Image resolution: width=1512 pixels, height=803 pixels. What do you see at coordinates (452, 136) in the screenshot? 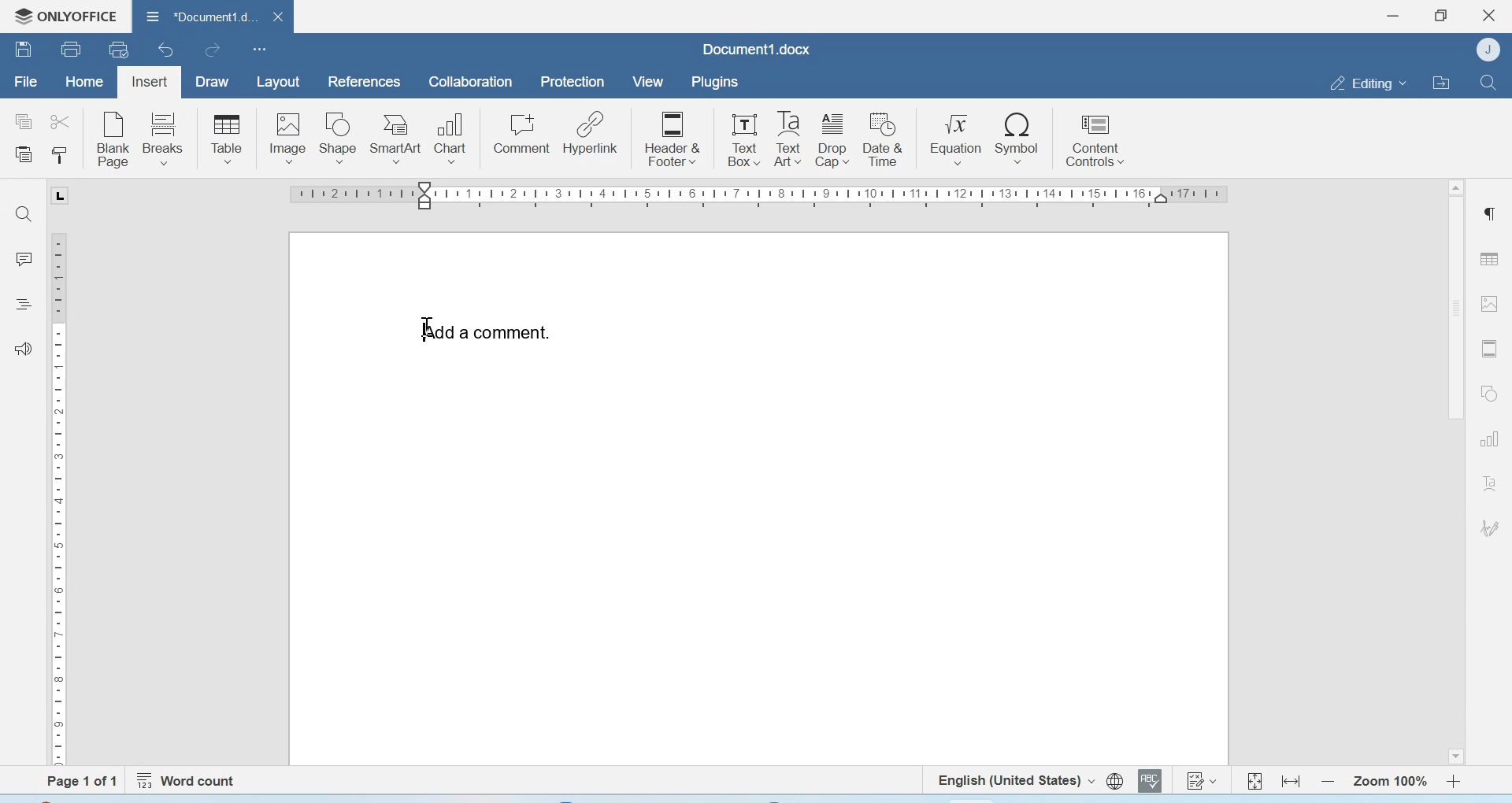
I see `Chart` at bounding box center [452, 136].